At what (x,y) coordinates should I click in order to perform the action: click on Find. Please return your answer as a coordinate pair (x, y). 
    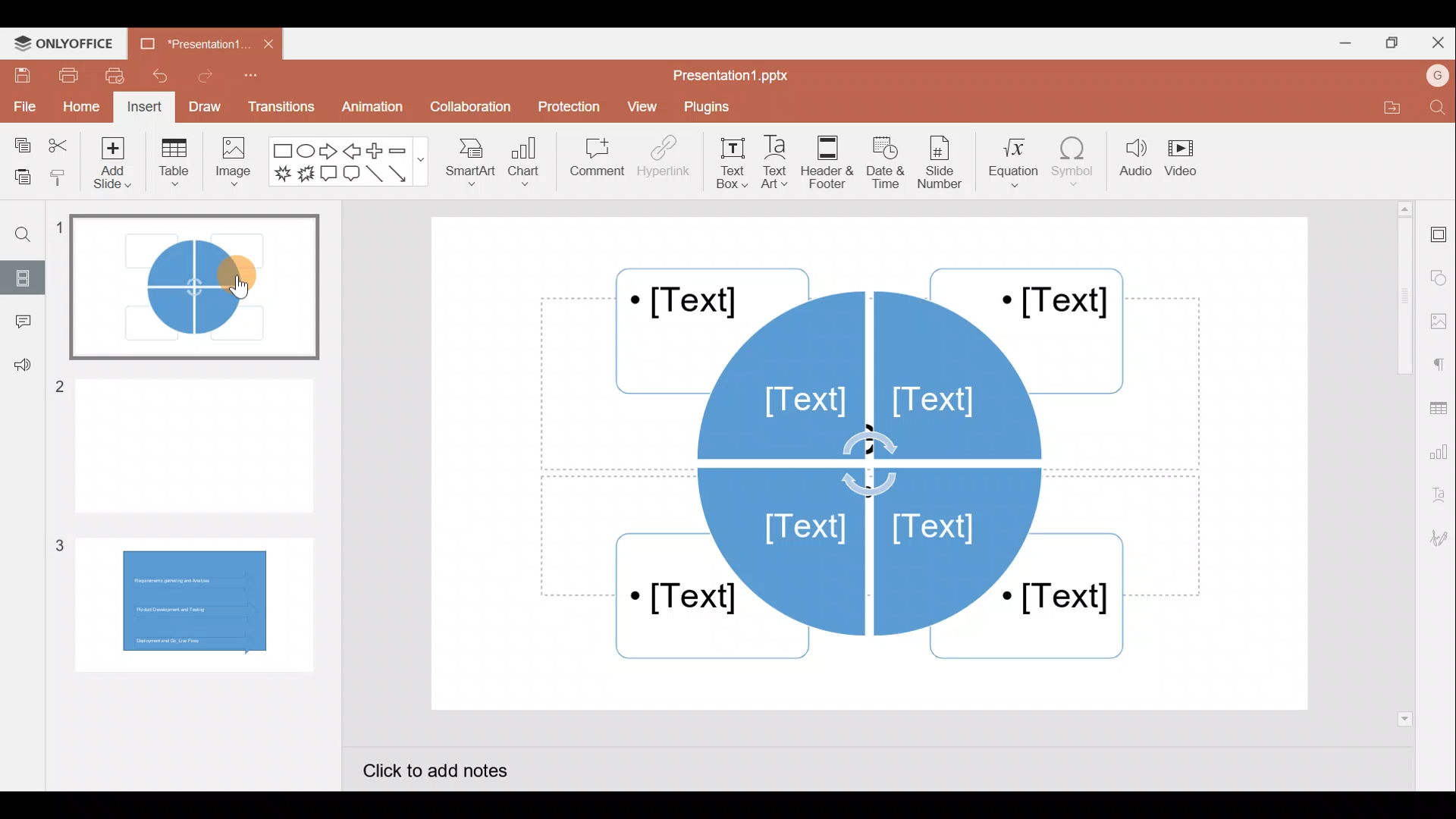
    Looking at the image, I should click on (31, 237).